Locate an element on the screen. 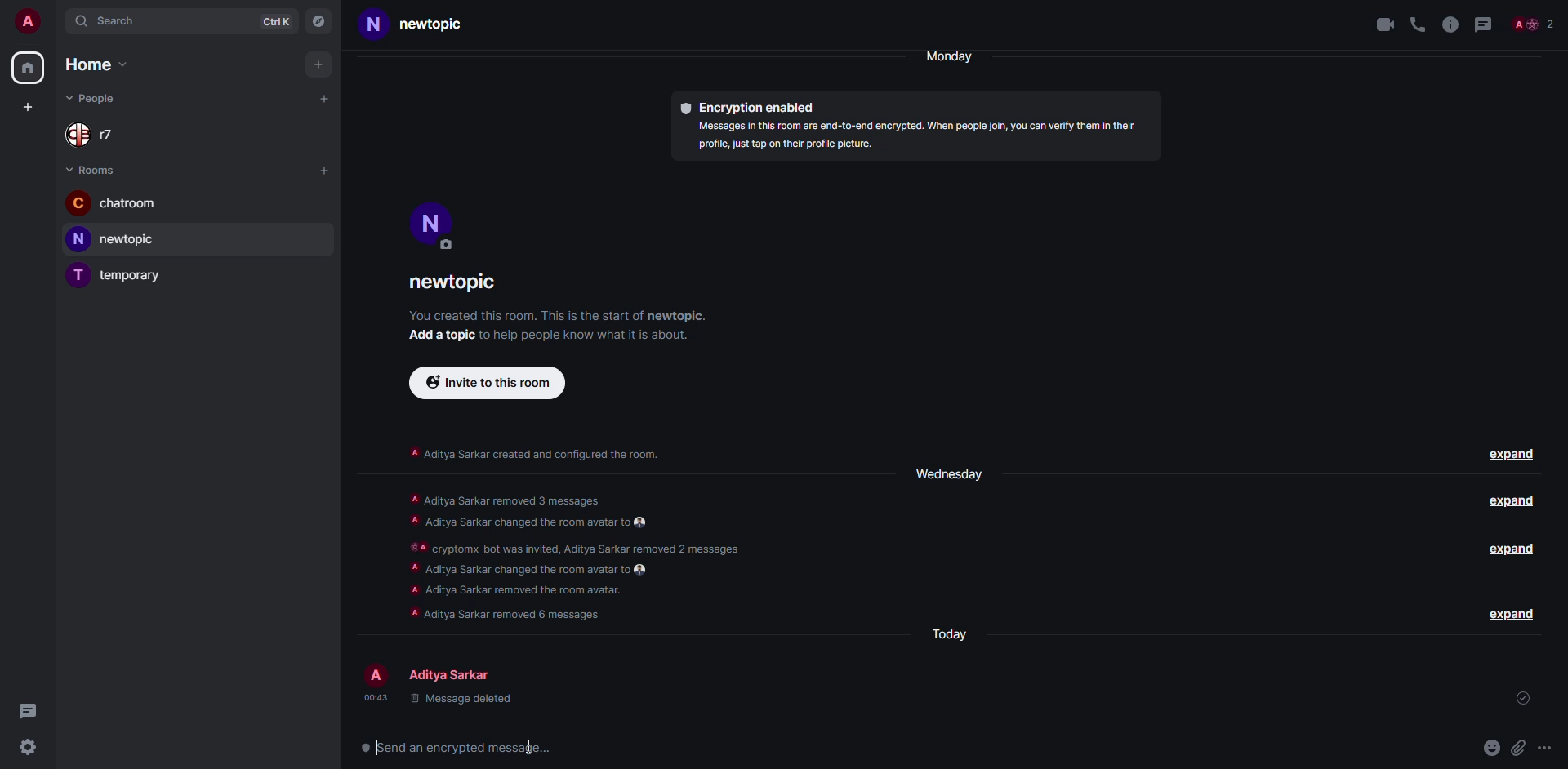  search is located at coordinates (110, 22).